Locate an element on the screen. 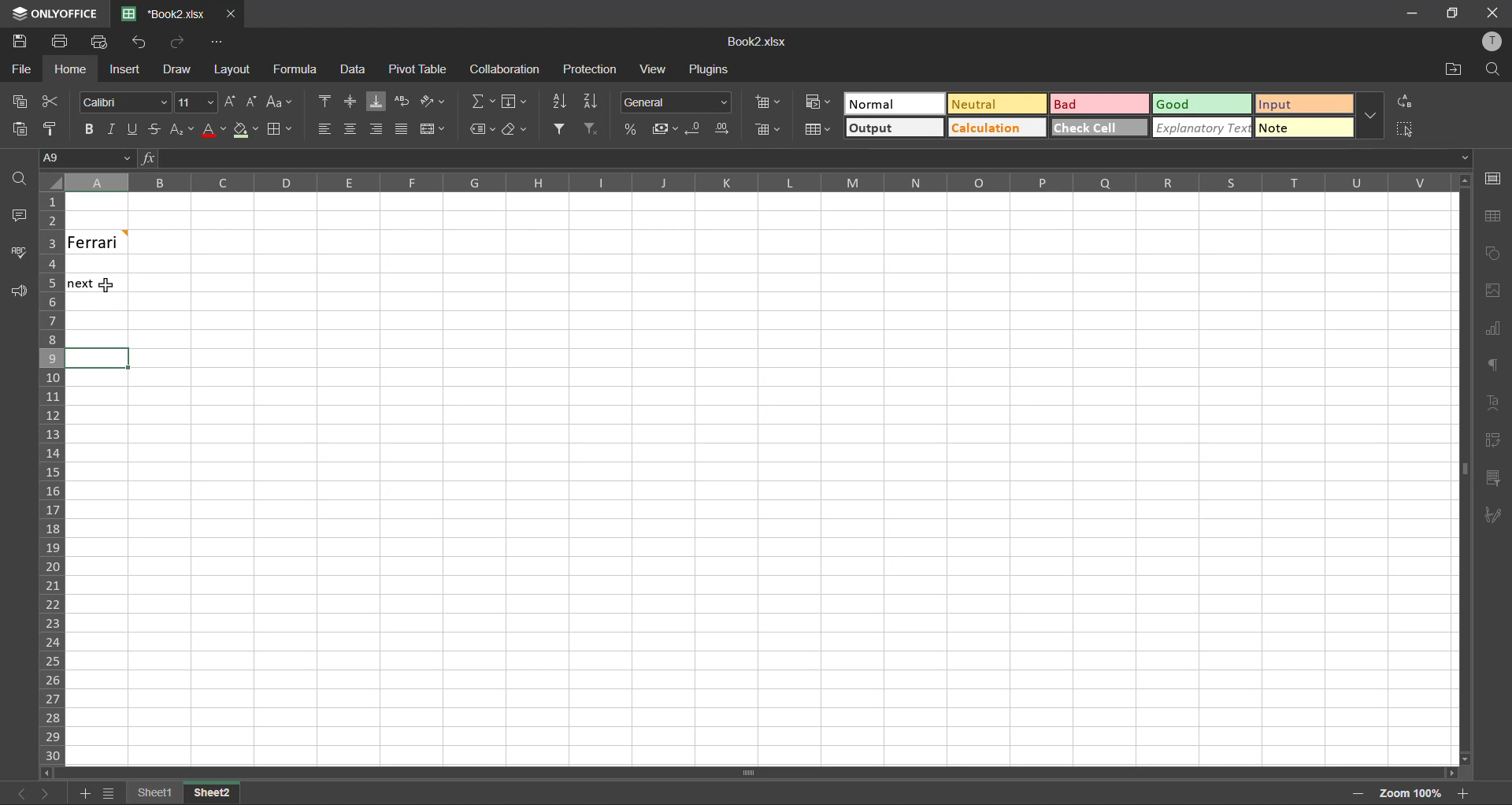 This screenshot has height=805, width=1512. image is located at coordinates (1493, 293).